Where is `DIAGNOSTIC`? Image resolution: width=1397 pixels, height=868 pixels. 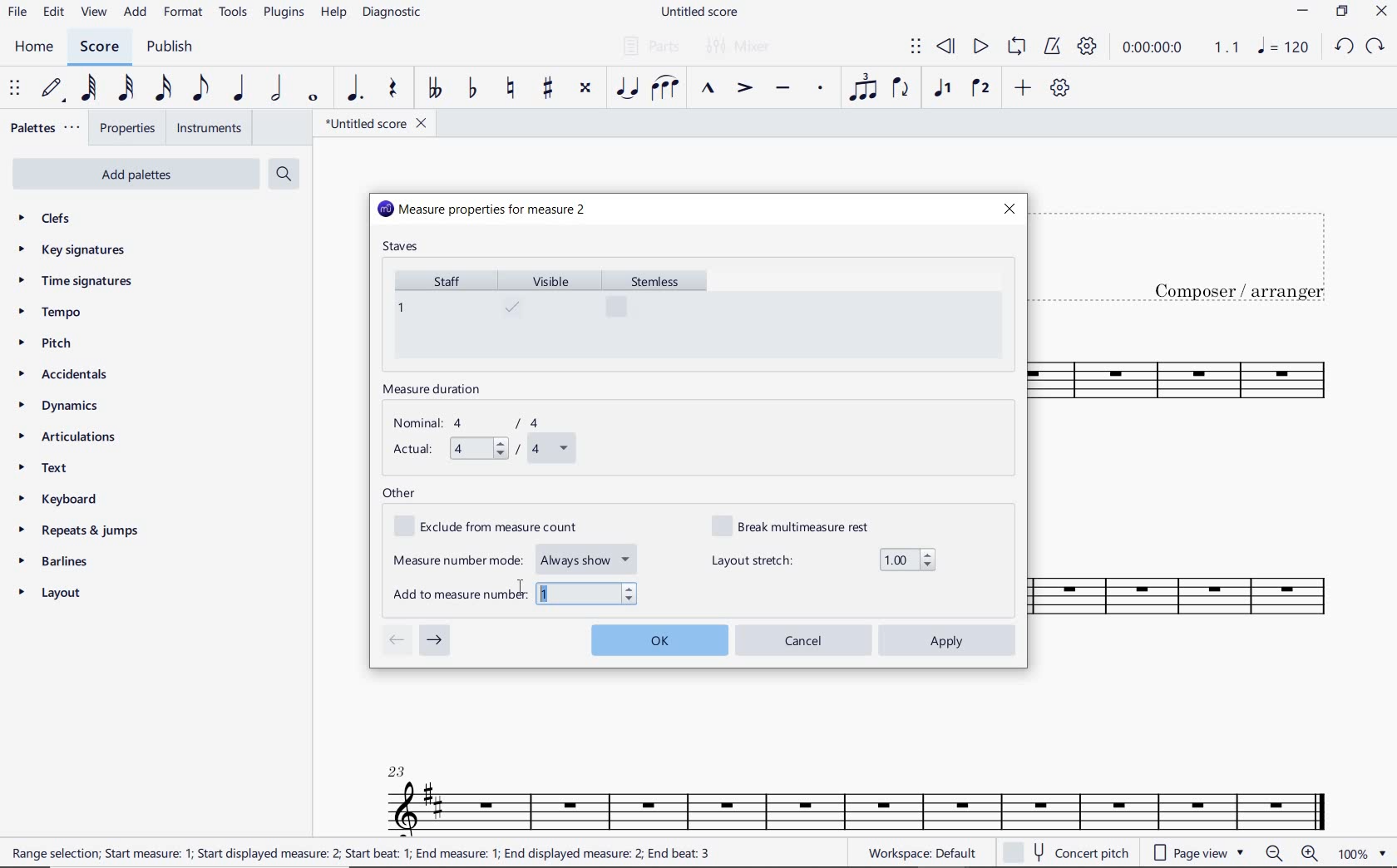 DIAGNOSTIC is located at coordinates (397, 13).